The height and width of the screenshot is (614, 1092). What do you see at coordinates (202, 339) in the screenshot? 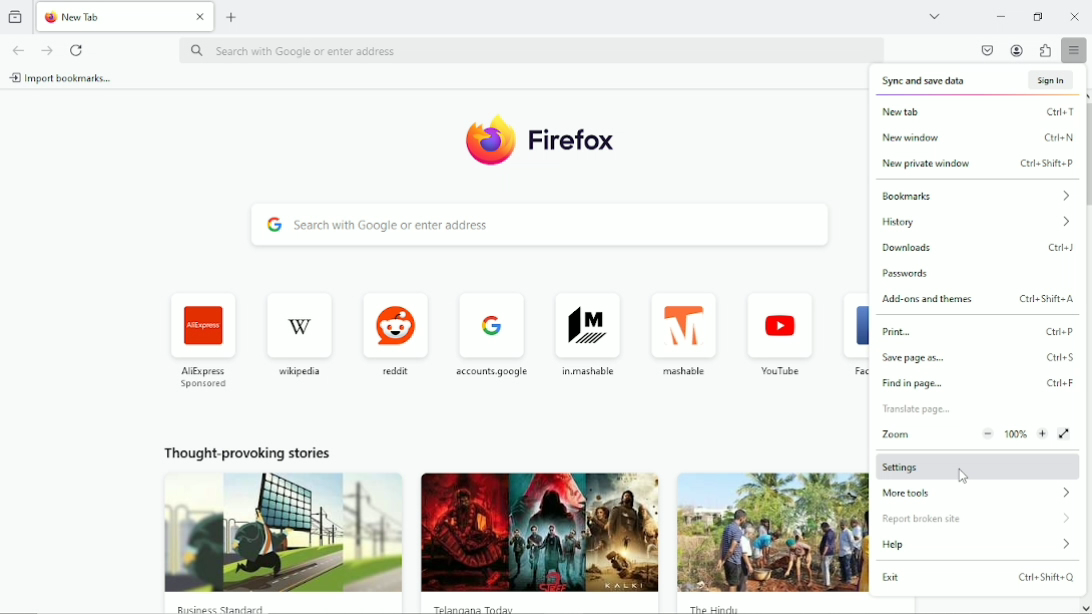
I see `AliExpress` at bounding box center [202, 339].